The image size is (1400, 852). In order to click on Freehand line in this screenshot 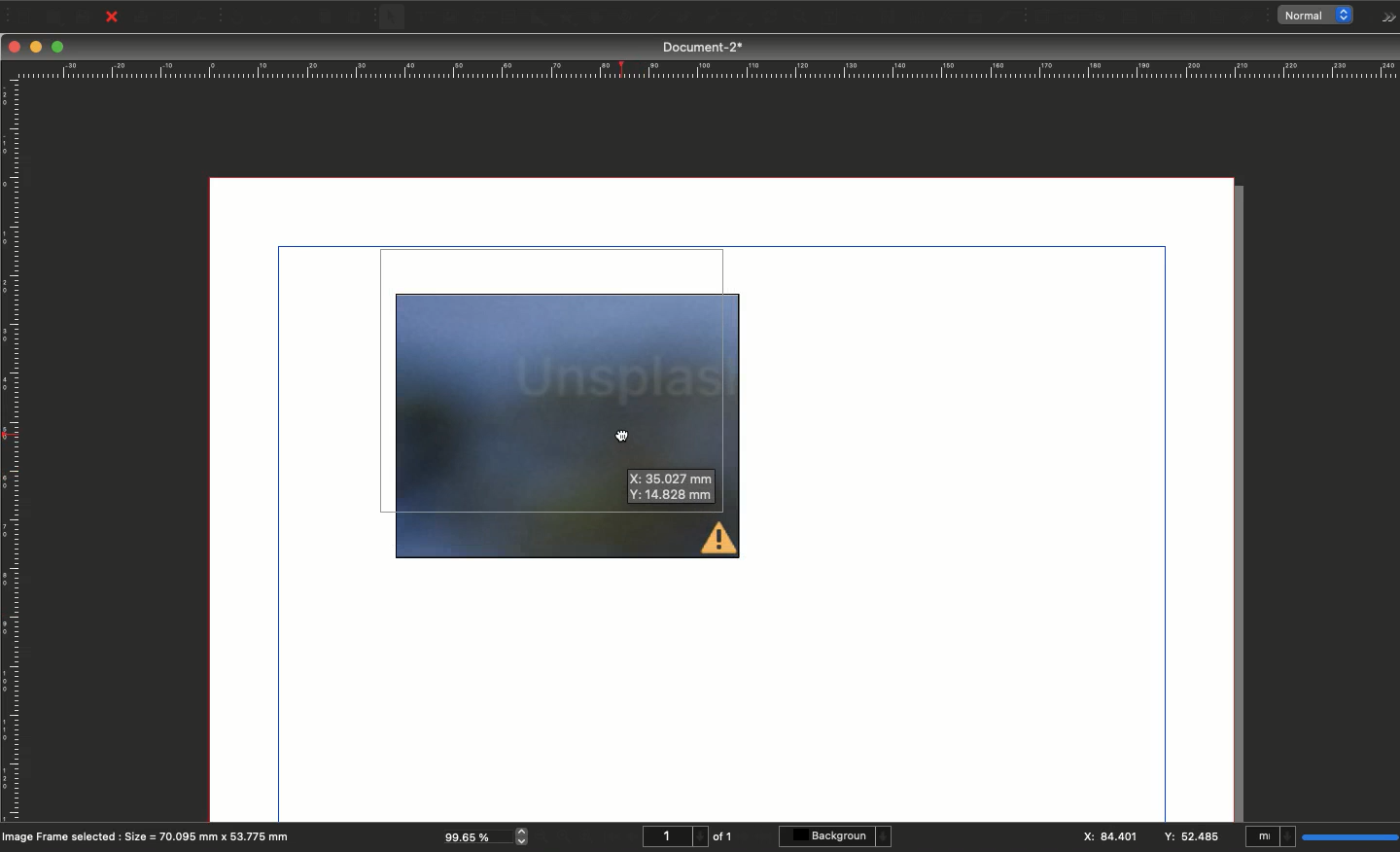, I will do `click(708, 18)`.